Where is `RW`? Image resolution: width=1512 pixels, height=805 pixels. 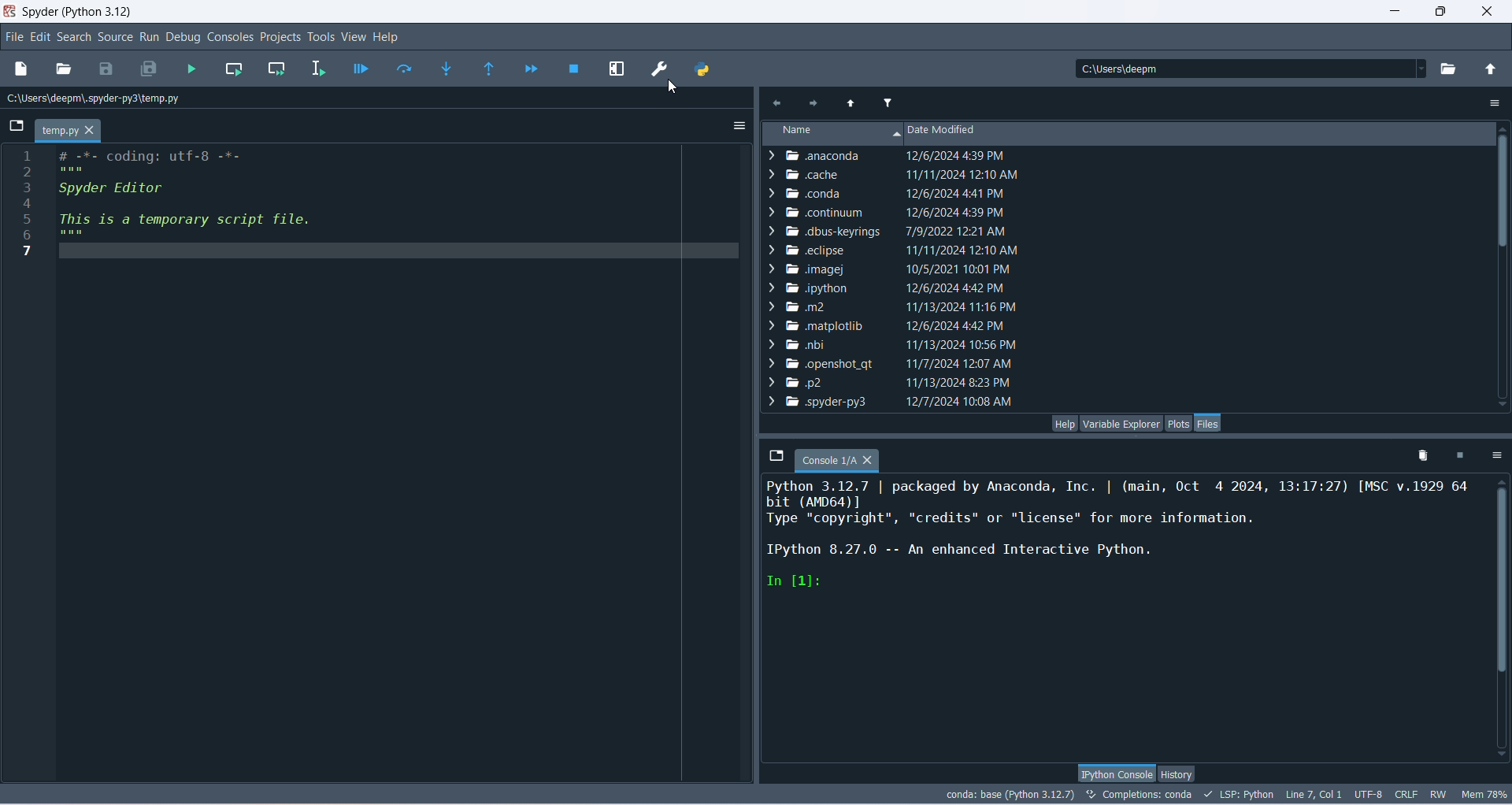 RW is located at coordinates (1437, 795).